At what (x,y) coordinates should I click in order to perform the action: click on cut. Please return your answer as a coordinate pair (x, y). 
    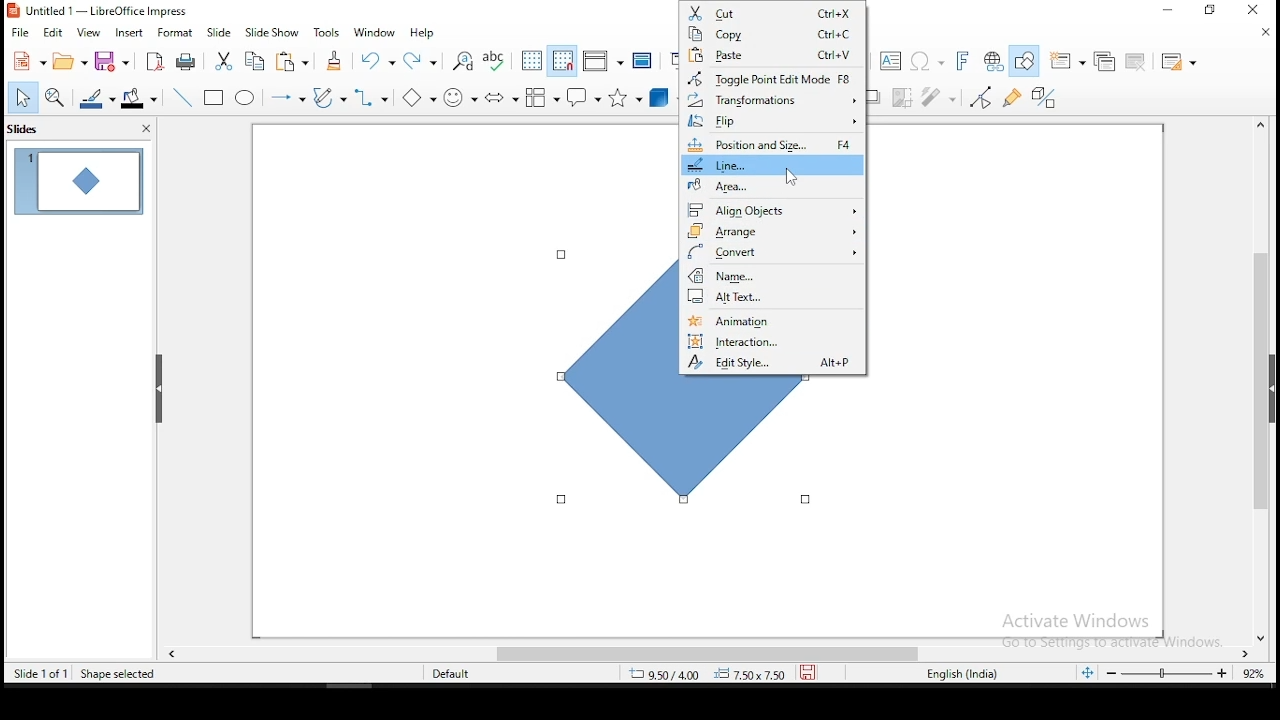
    Looking at the image, I should click on (772, 11).